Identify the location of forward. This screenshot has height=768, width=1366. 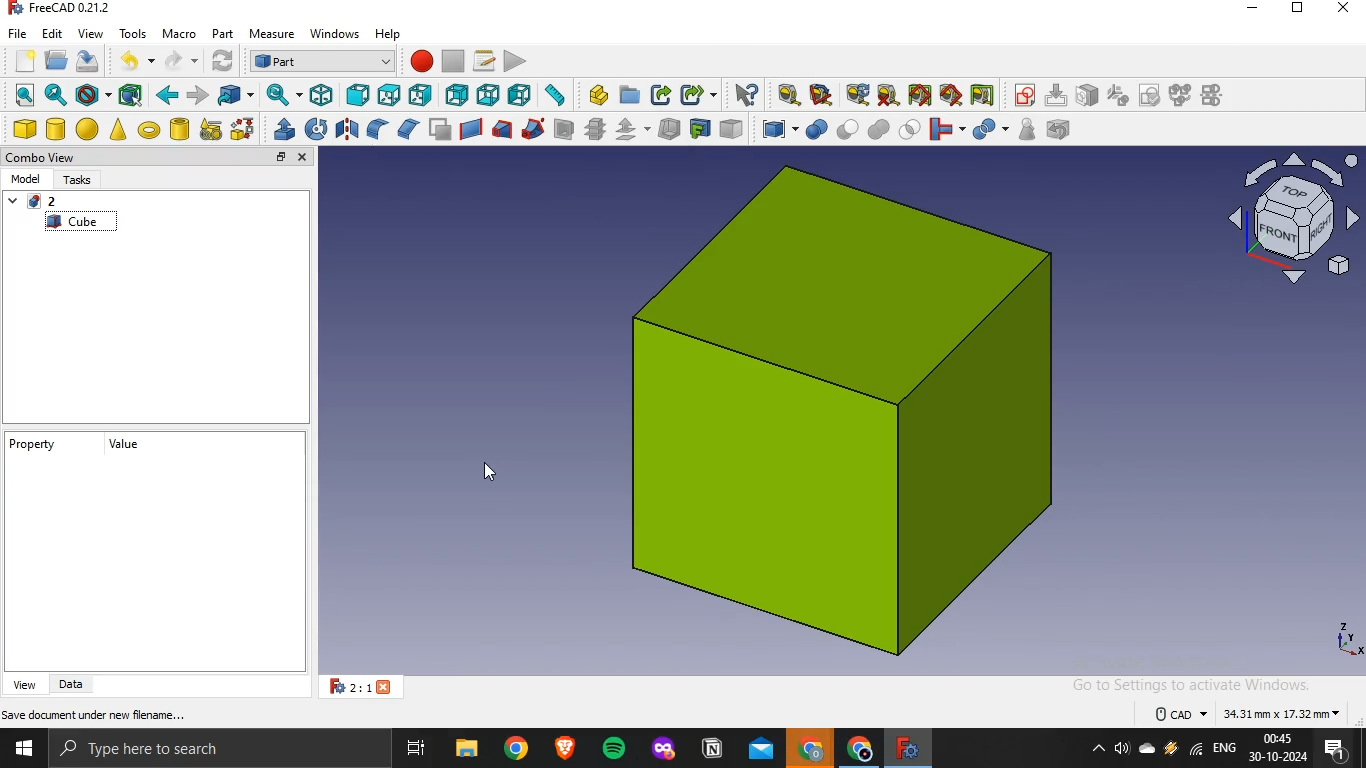
(199, 93).